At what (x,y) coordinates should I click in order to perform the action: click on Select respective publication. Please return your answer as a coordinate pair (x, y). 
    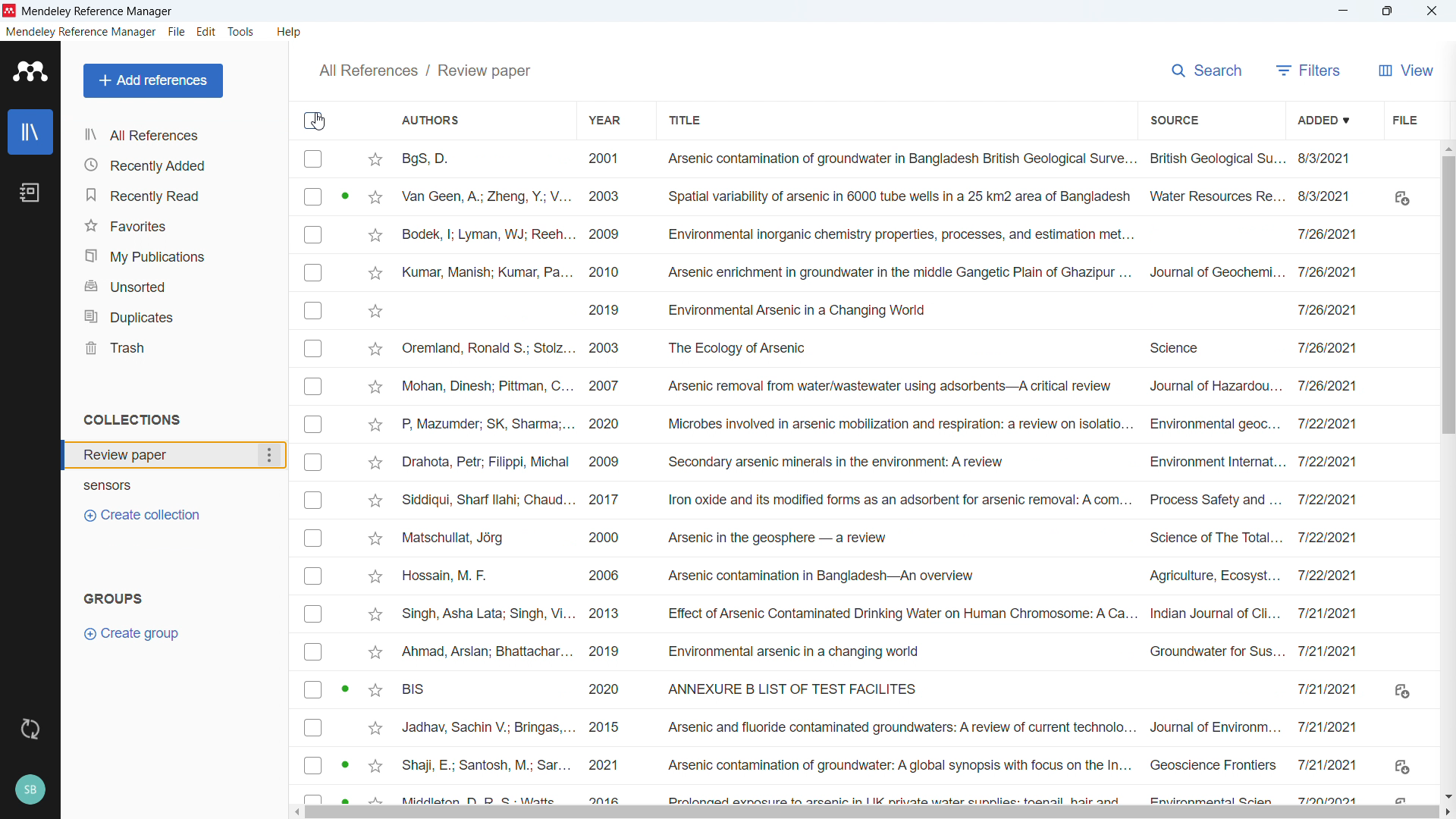
    Looking at the image, I should click on (313, 386).